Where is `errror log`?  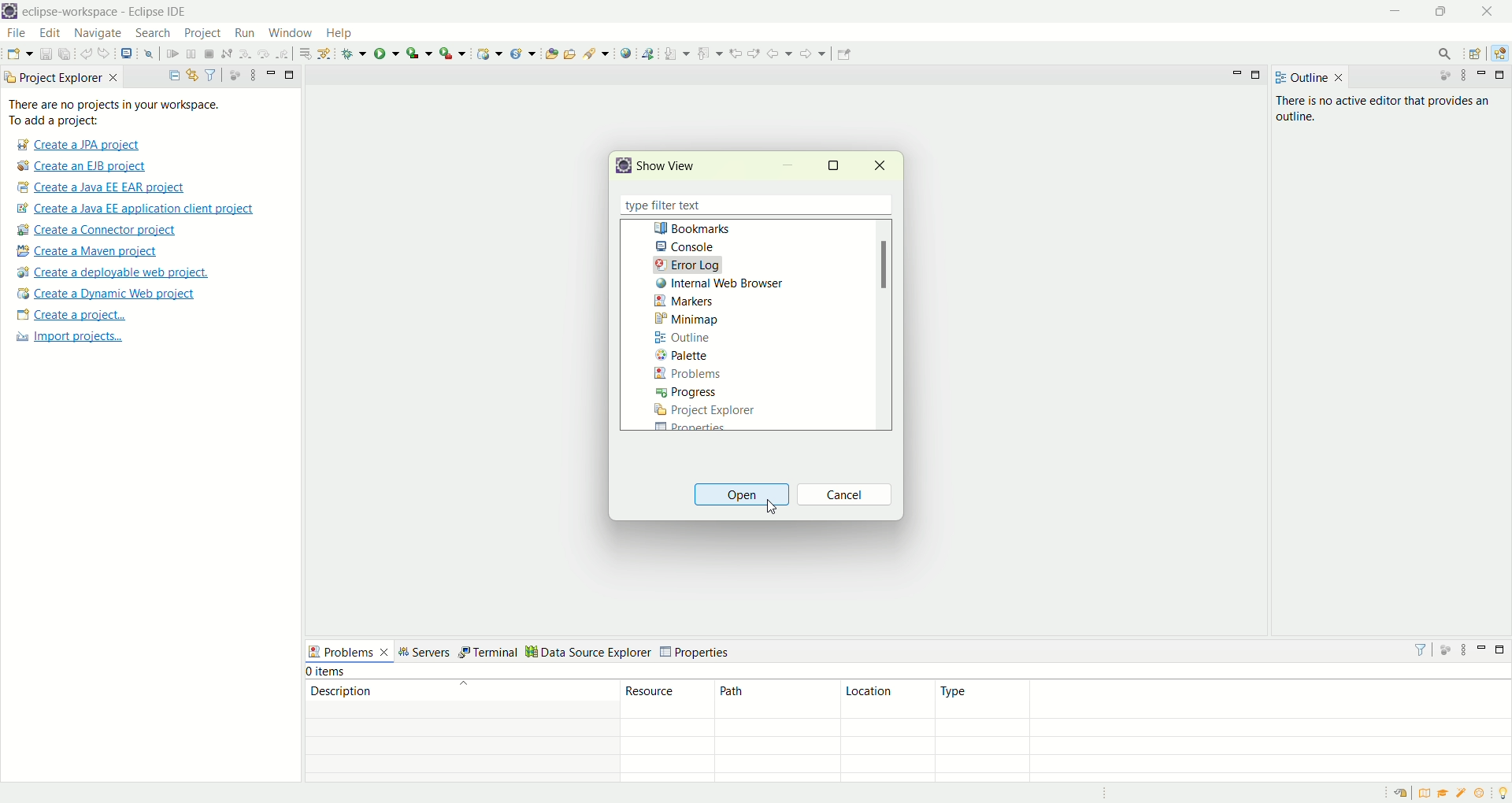
errror log is located at coordinates (689, 266).